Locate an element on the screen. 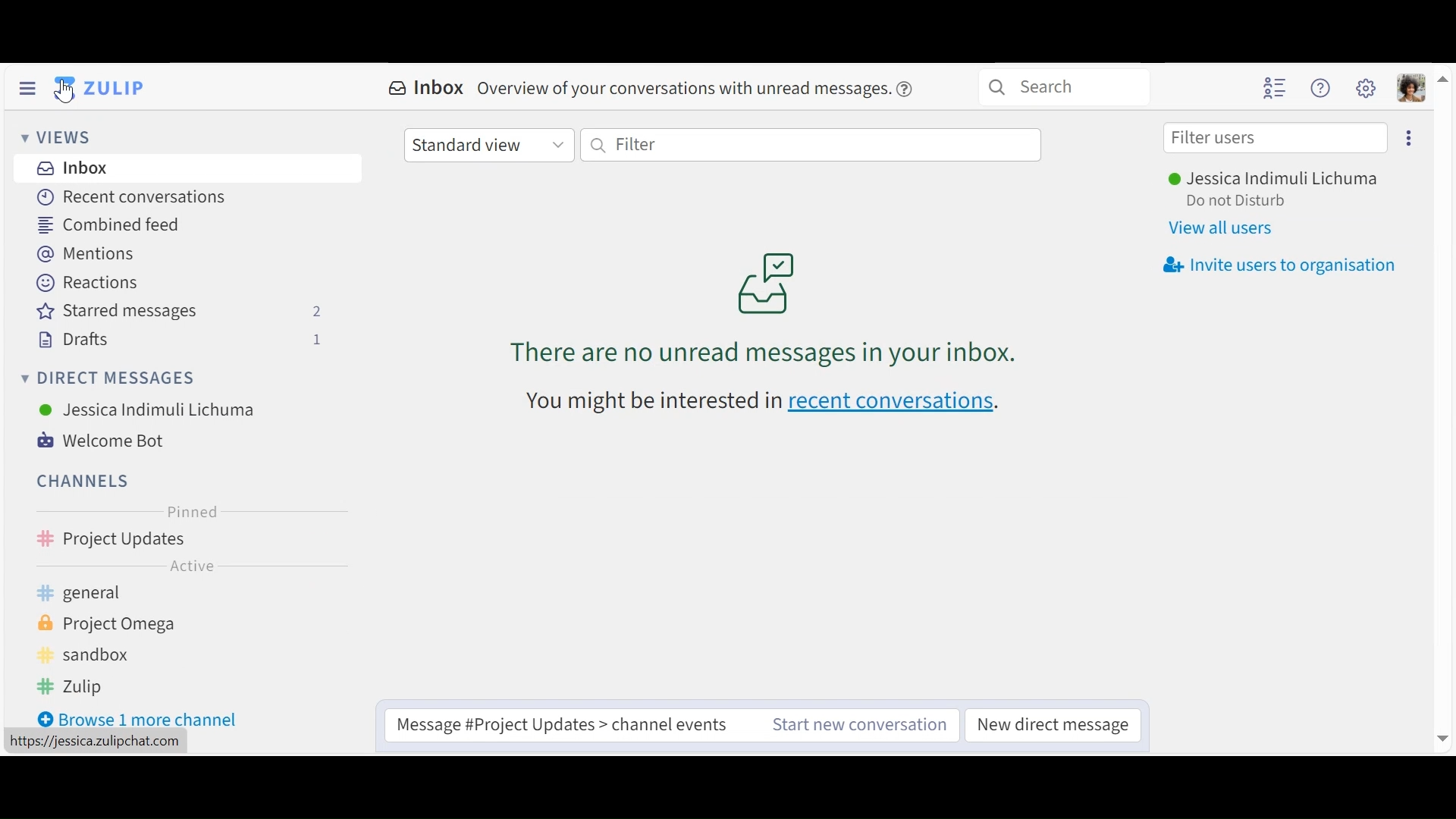  Welcome Bot is located at coordinates (104, 441).